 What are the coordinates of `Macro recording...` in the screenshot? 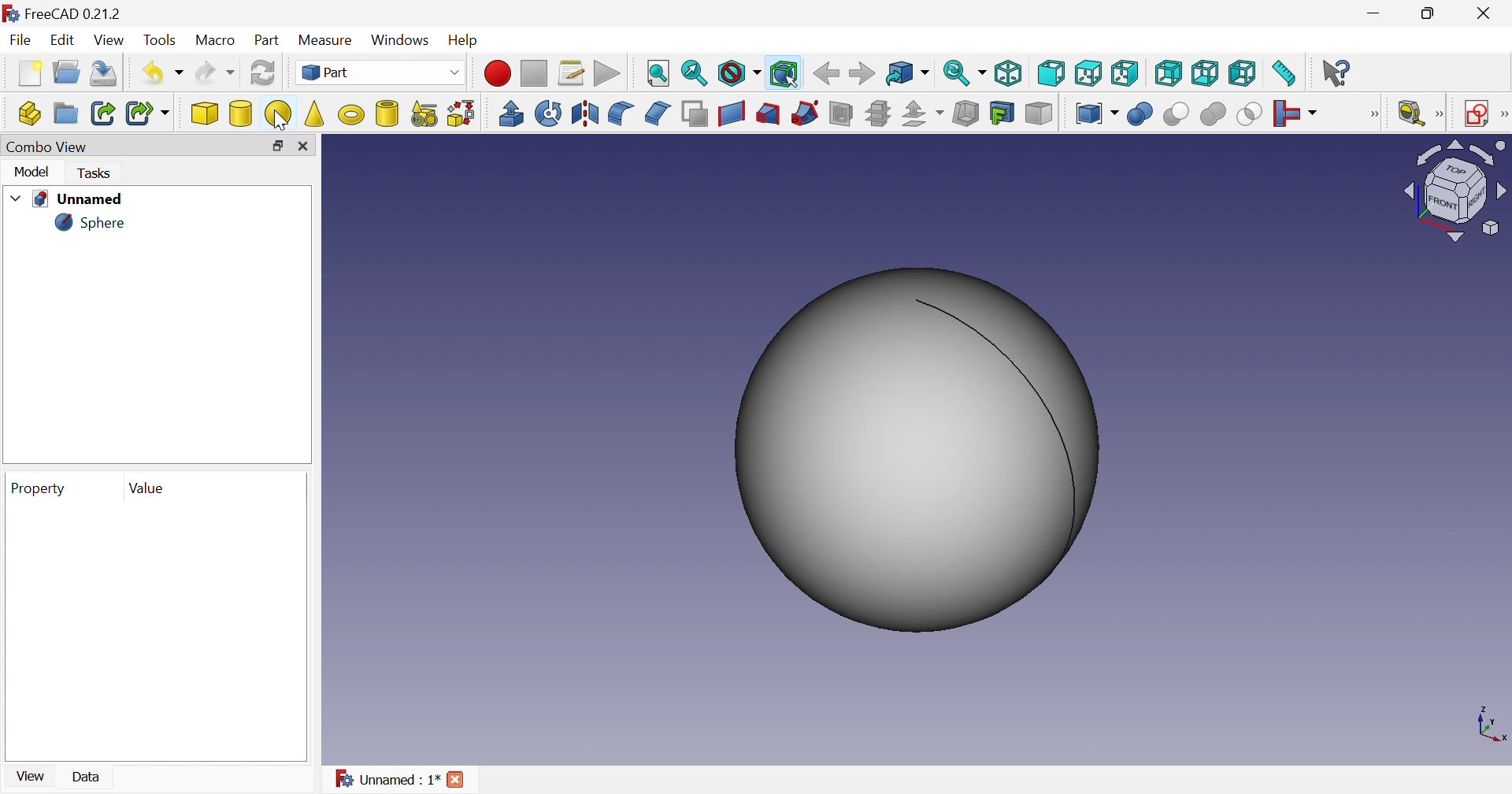 It's located at (497, 74).